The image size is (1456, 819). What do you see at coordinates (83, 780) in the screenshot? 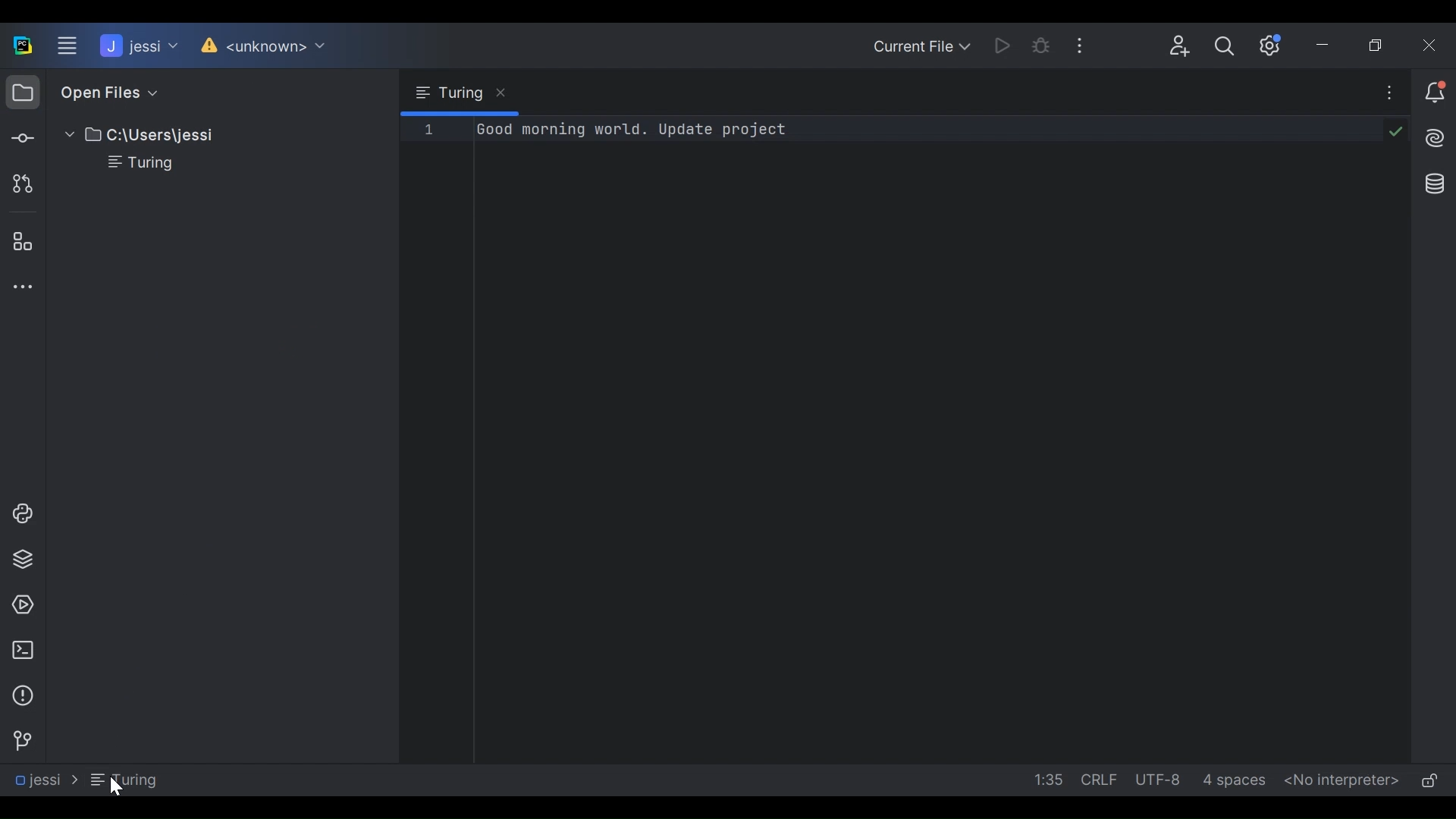
I see `Navigation` at bounding box center [83, 780].